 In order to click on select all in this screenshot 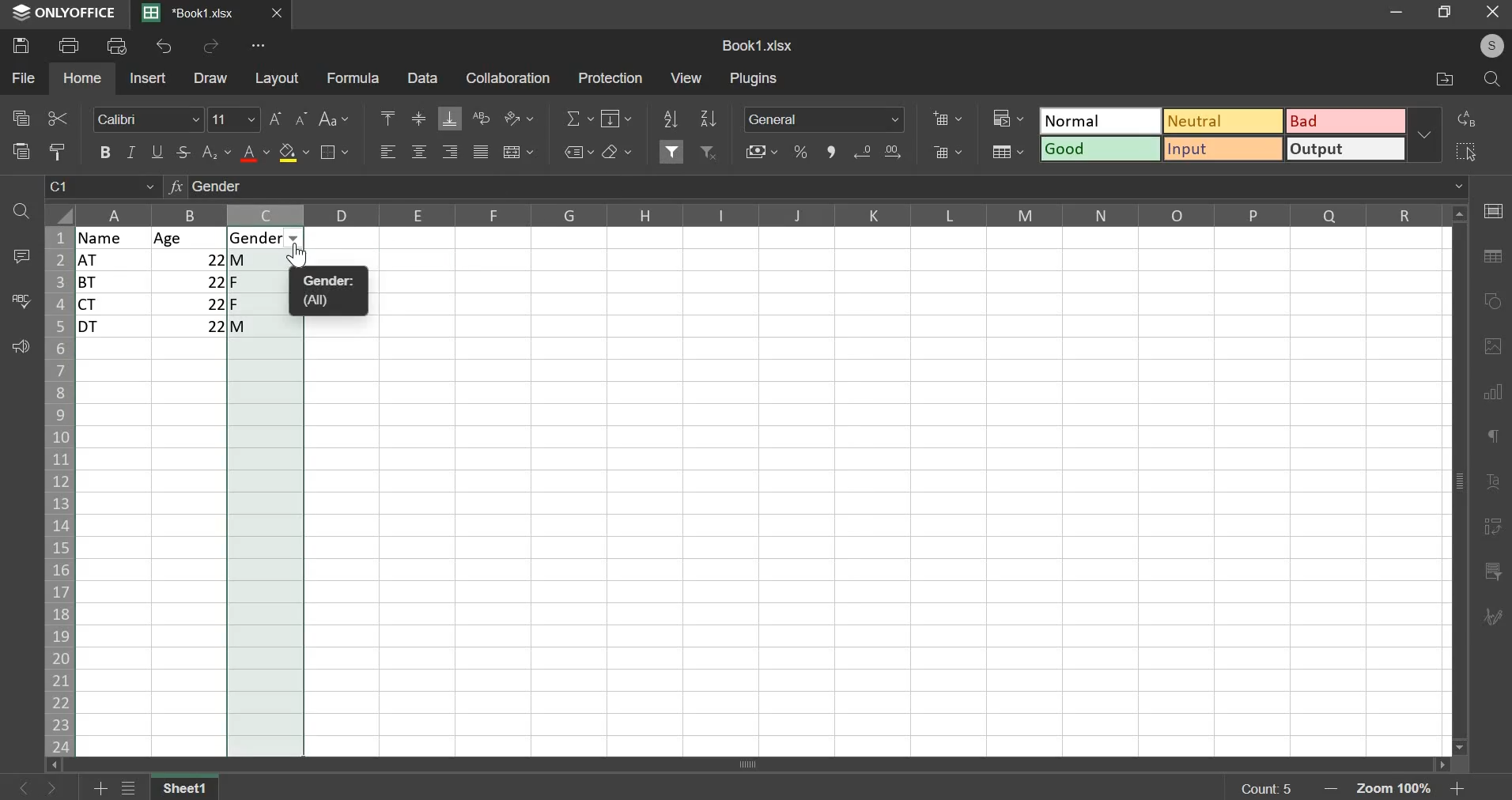, I will do `click(1469, 148)`.